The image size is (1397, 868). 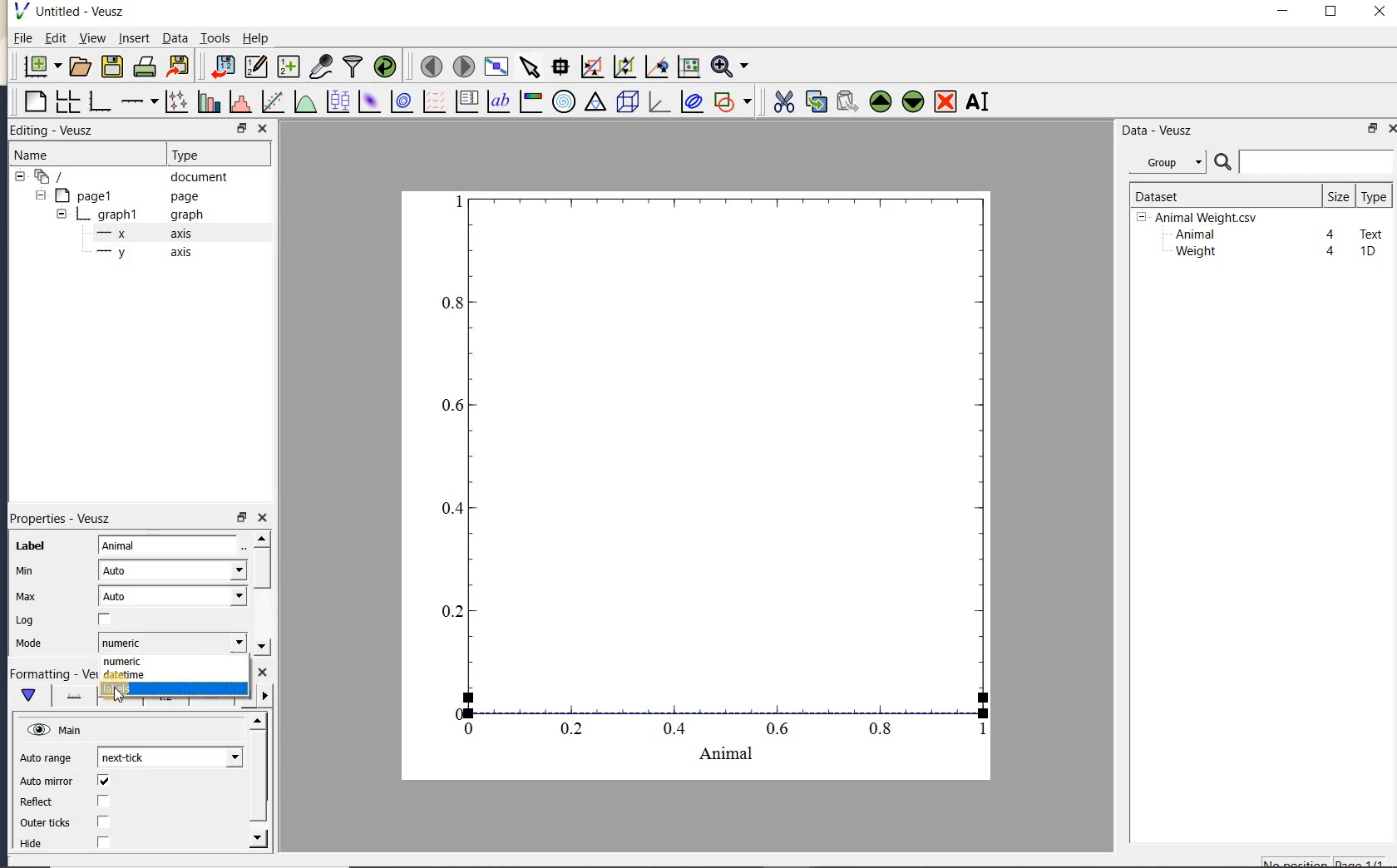 I want to click on move to the next page, so click(x=462, y=65).